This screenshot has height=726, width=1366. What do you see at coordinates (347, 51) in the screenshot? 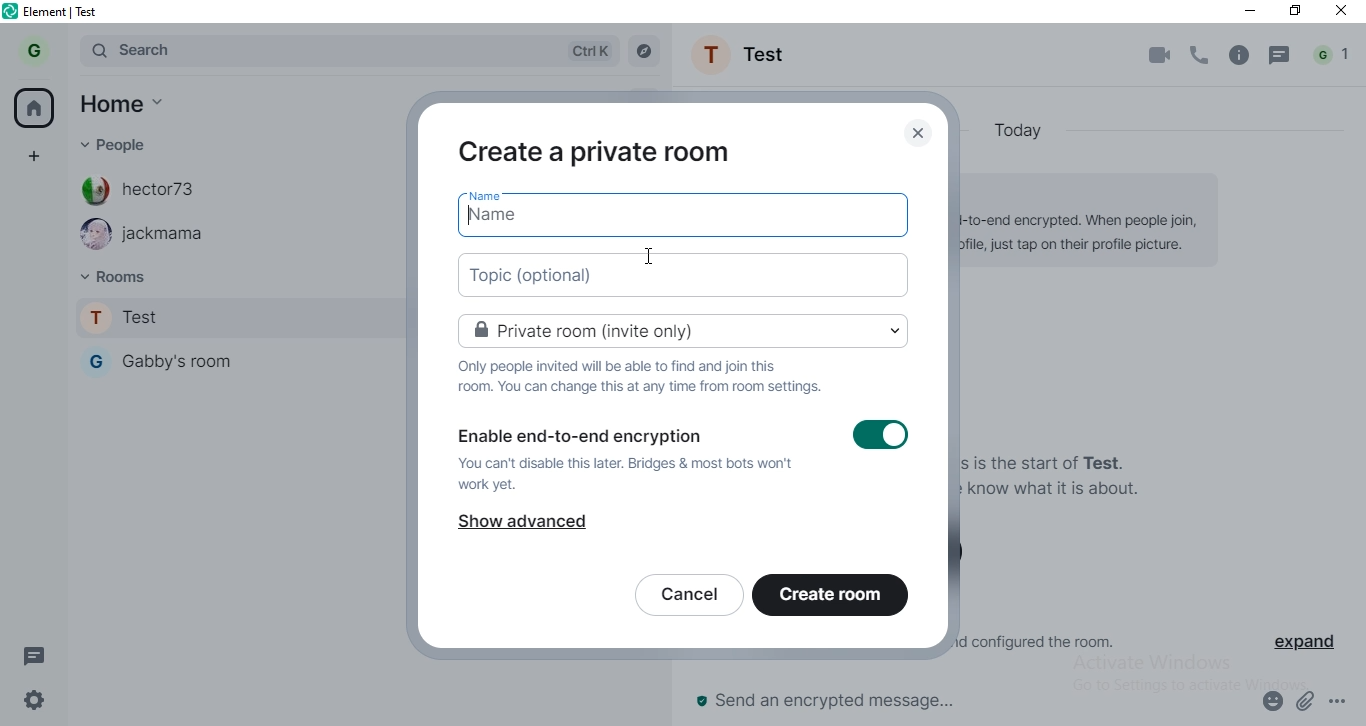
I see `search bar` at bounding box center [347, 51].